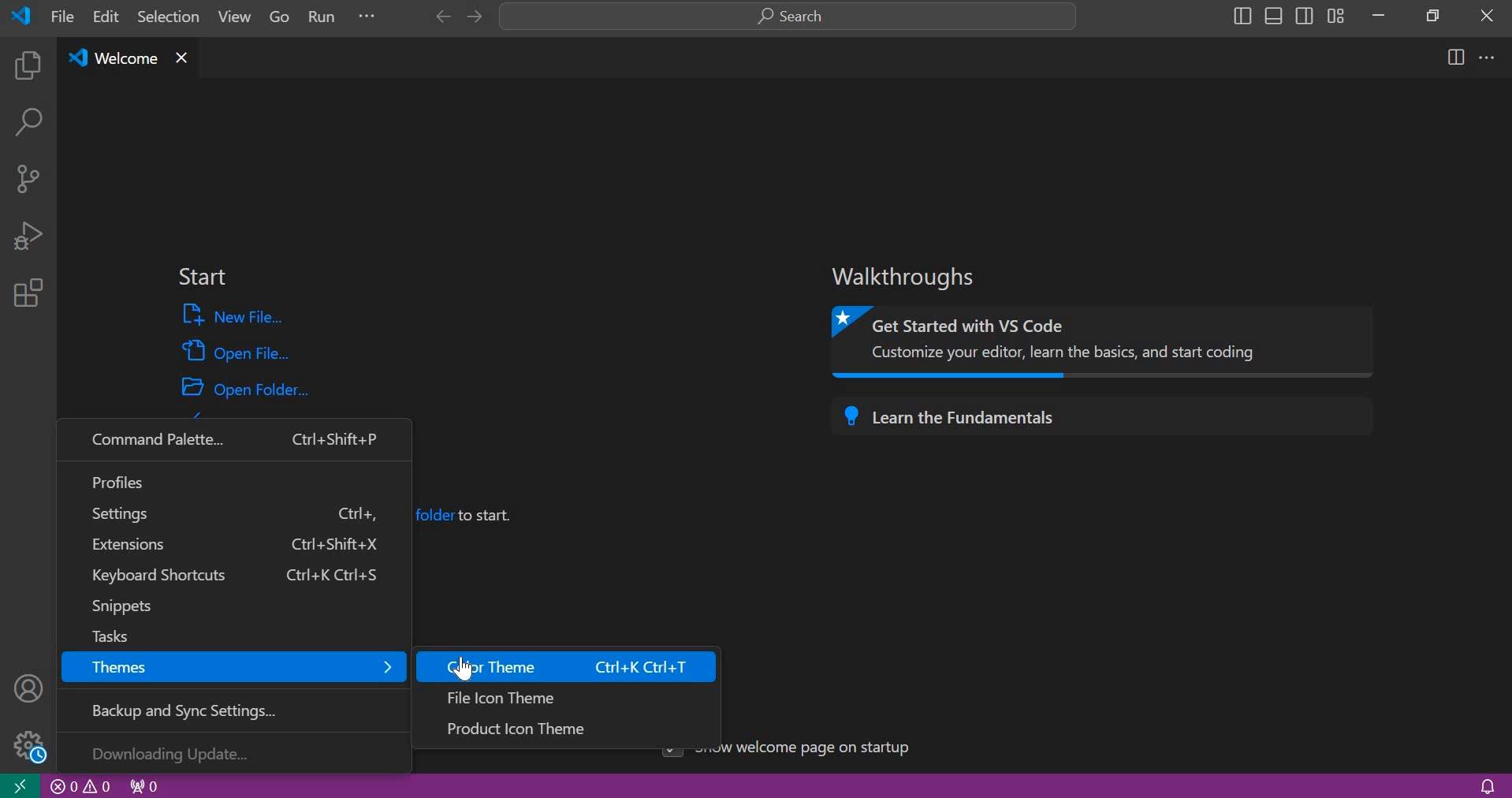 The width and height of the screenshot is (1512, 798). I want to click on run and debug, so click(28, 235).